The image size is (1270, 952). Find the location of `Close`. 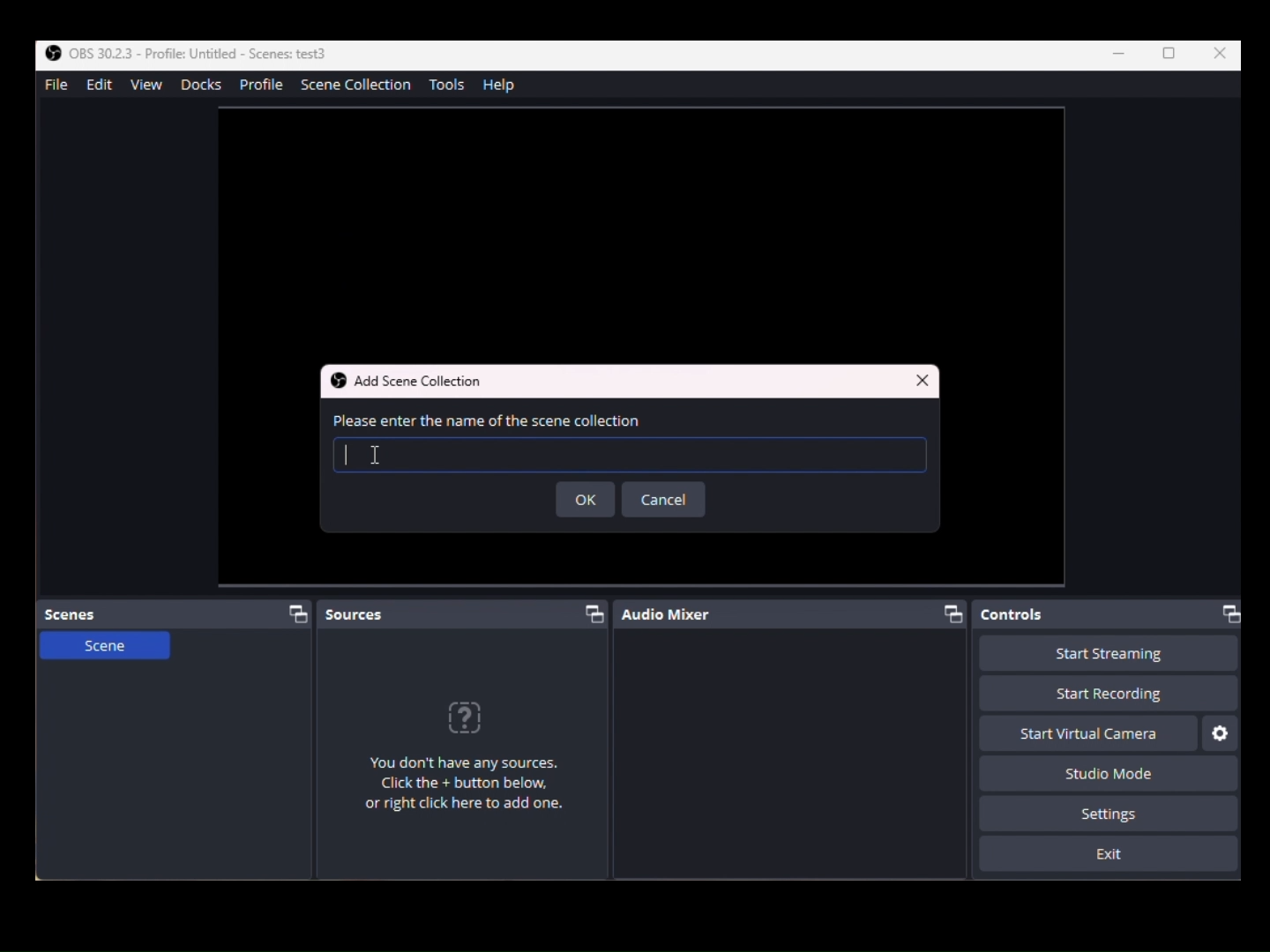

Close is located at coordinates (1221, 54).